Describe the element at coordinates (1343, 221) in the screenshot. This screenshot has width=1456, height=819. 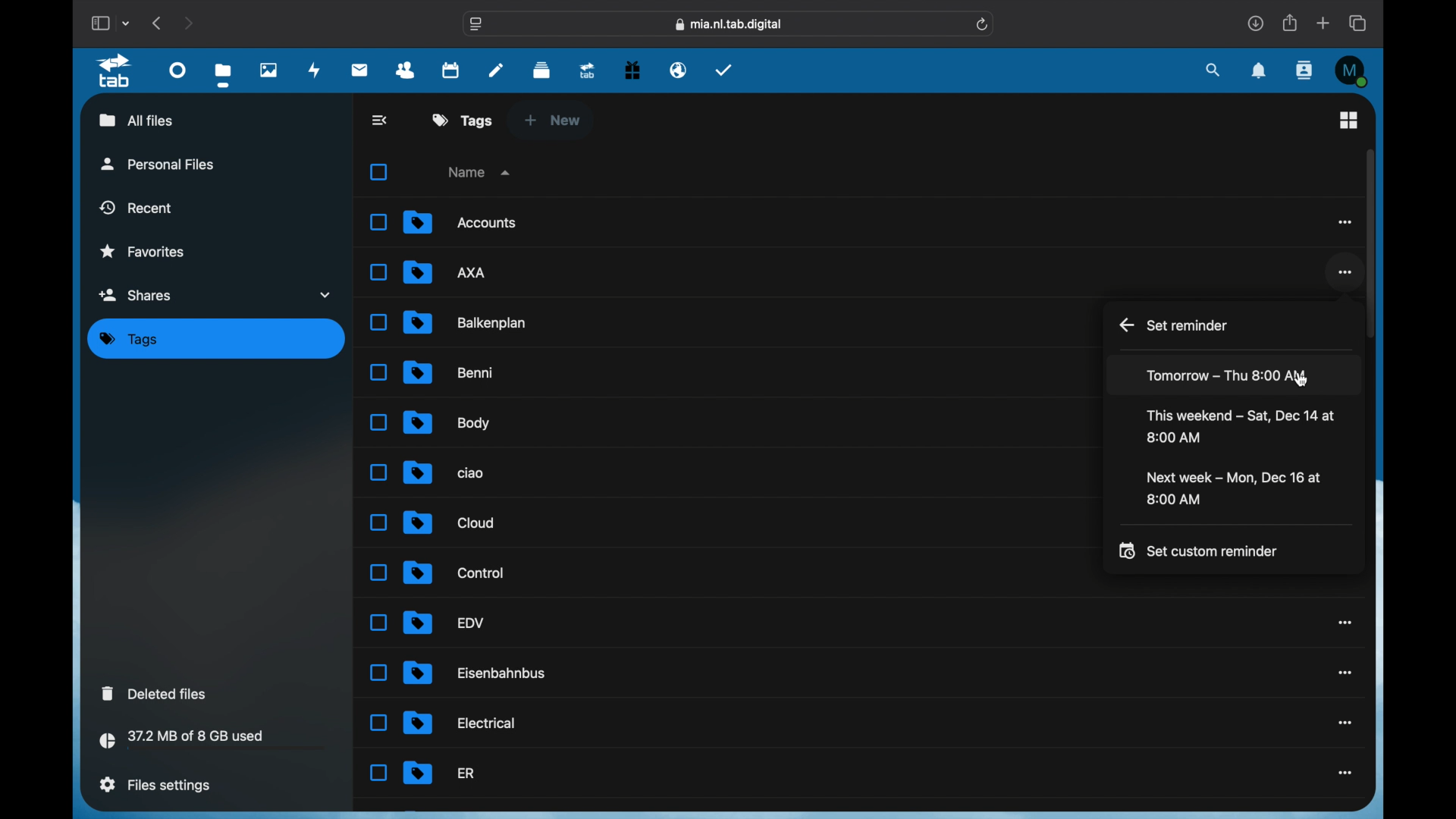
I see `more options` at that location.